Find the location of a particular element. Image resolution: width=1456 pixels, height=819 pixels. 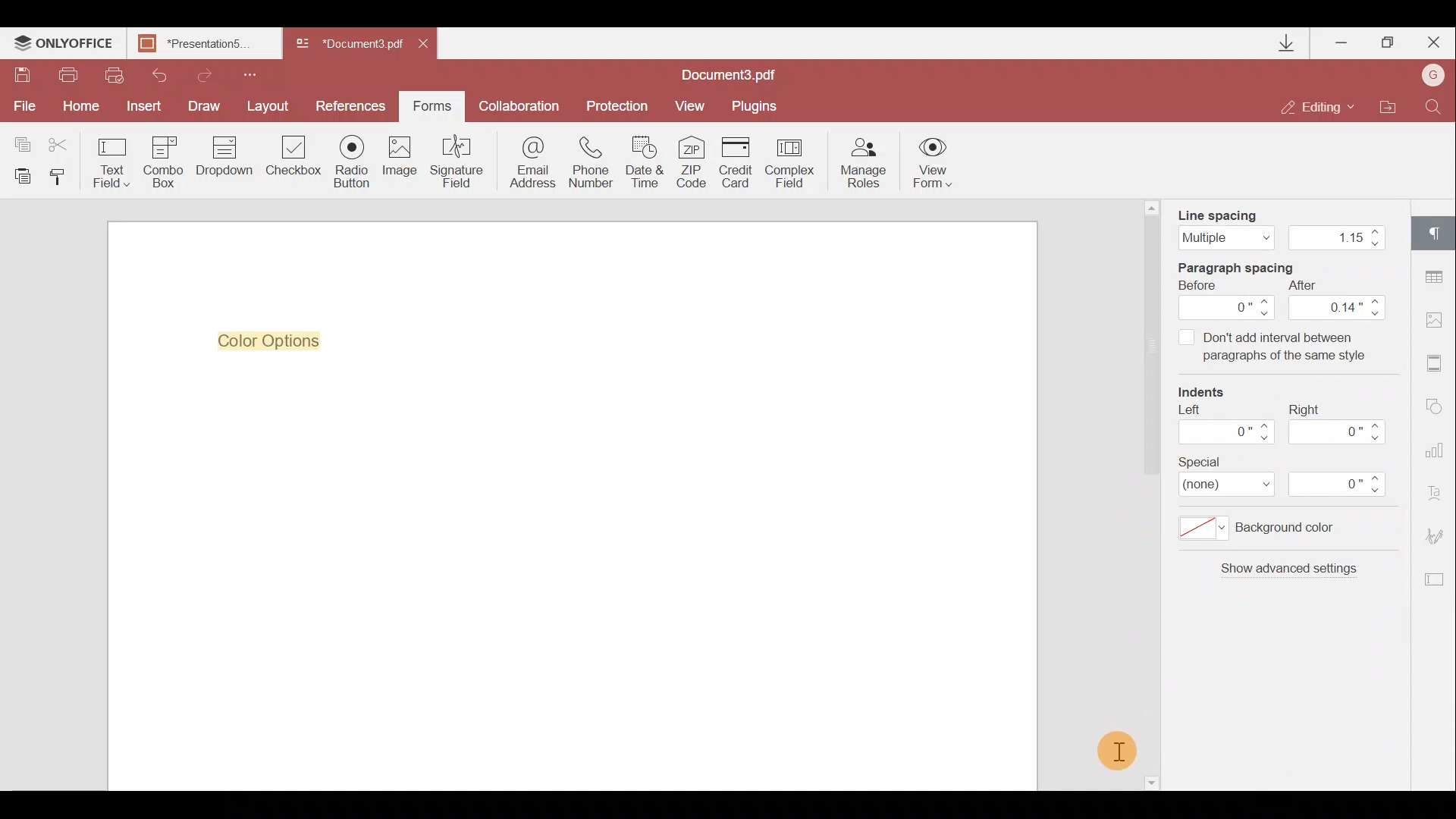

Copy style is located at coordinates (63, 180).